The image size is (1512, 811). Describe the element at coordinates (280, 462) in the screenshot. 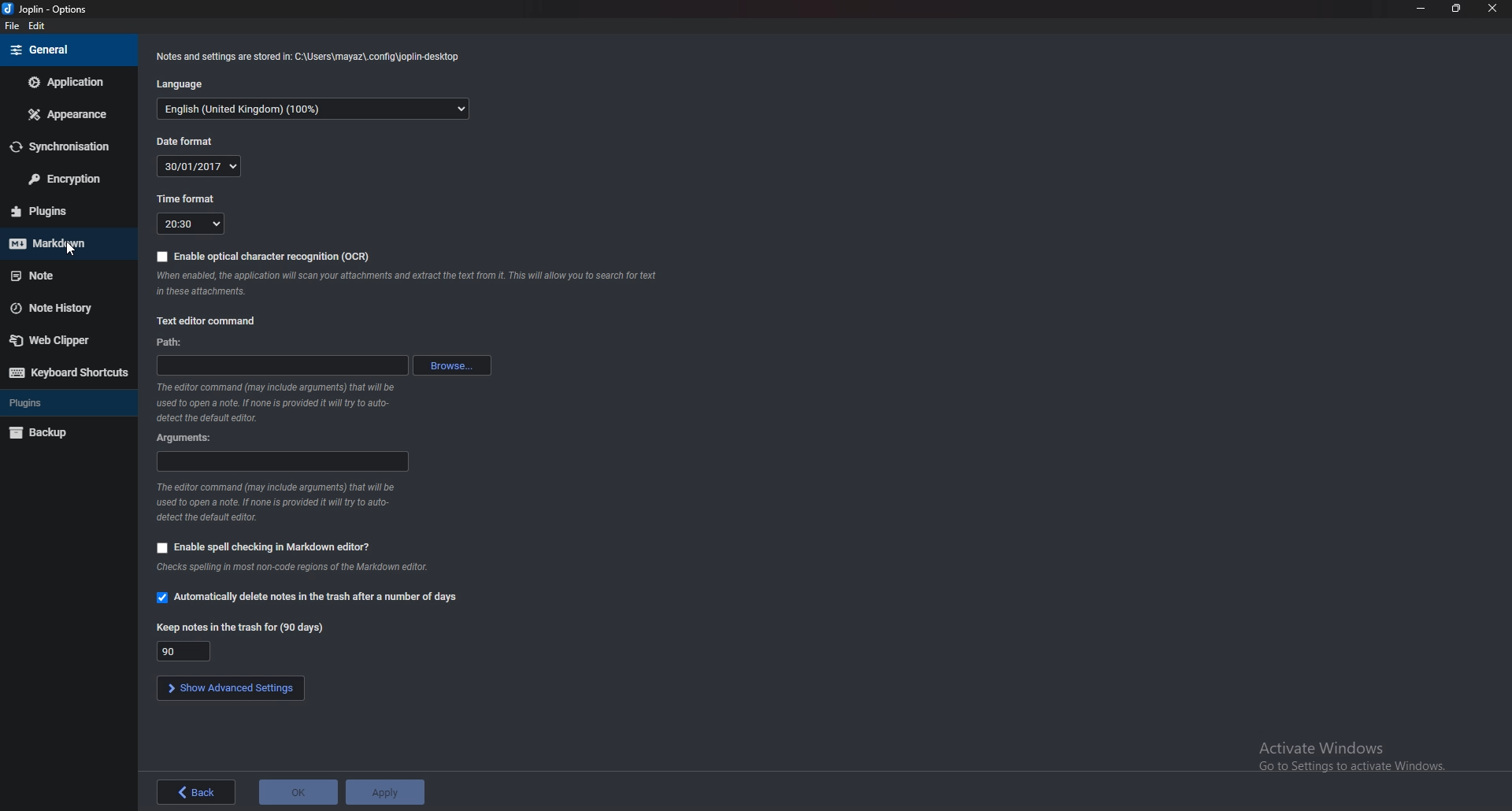

I see `Arguments` at that location.